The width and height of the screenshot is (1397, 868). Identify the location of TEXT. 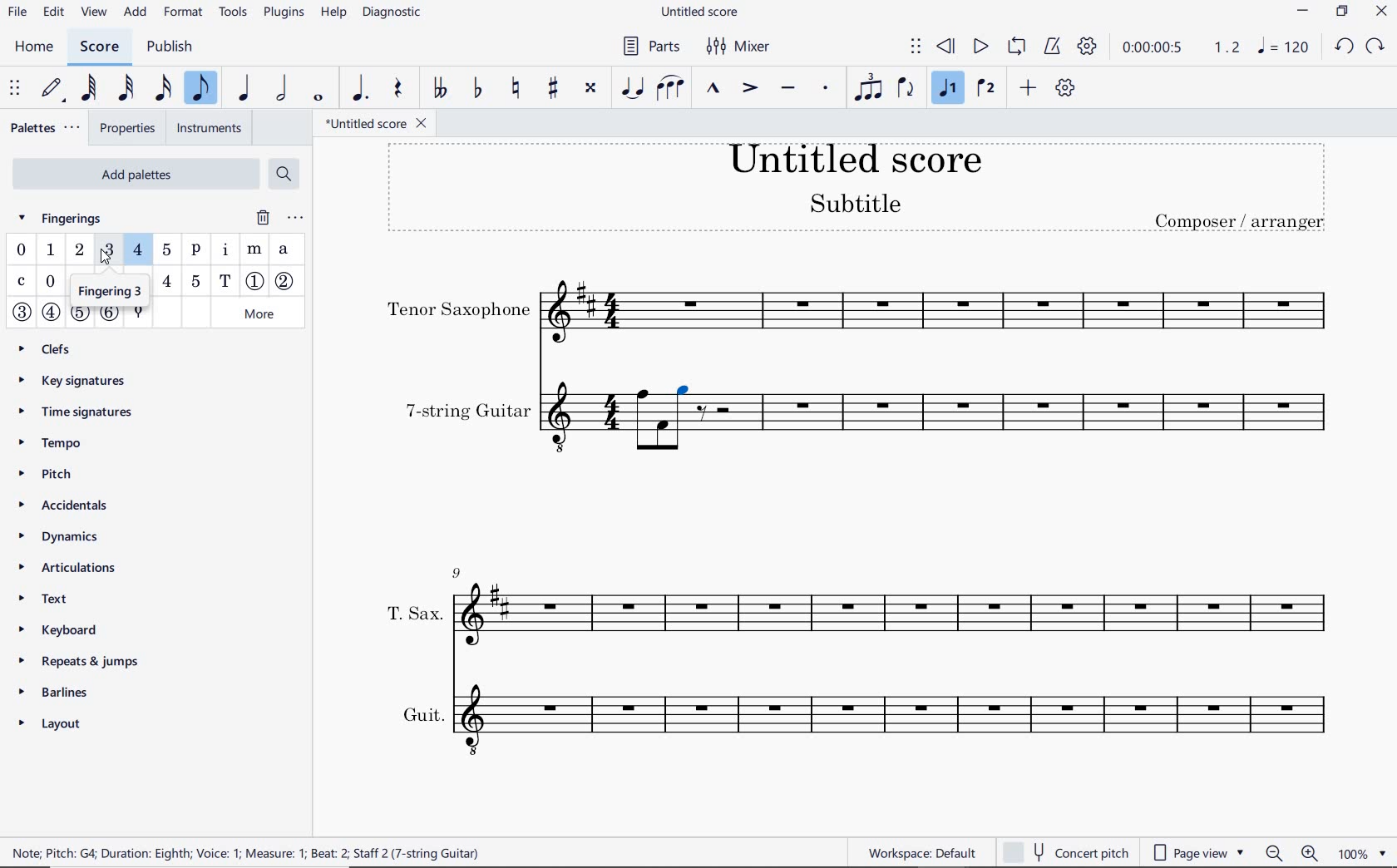
(66, 601).